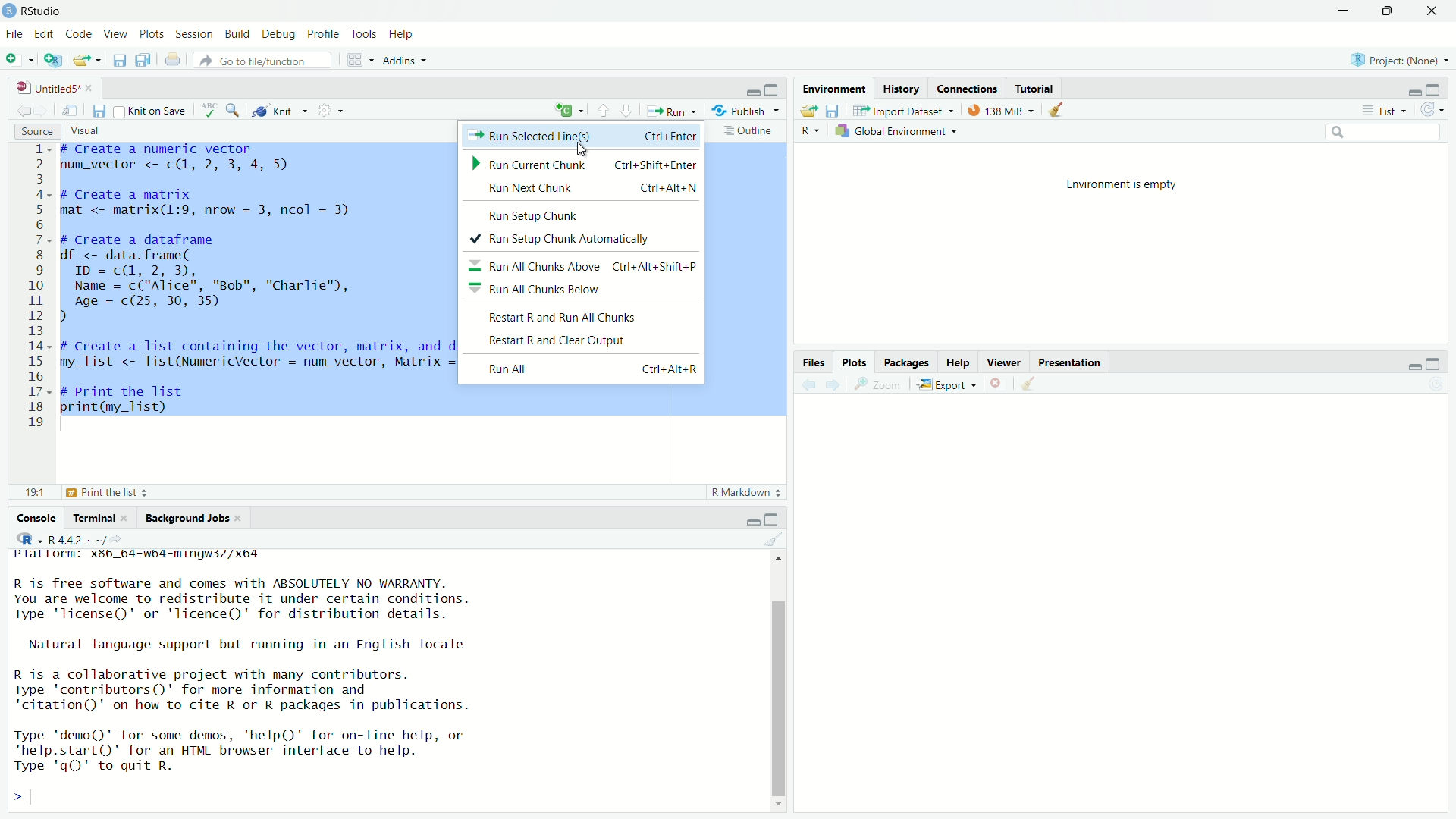  I want to click on Edit, so click(44, 34).